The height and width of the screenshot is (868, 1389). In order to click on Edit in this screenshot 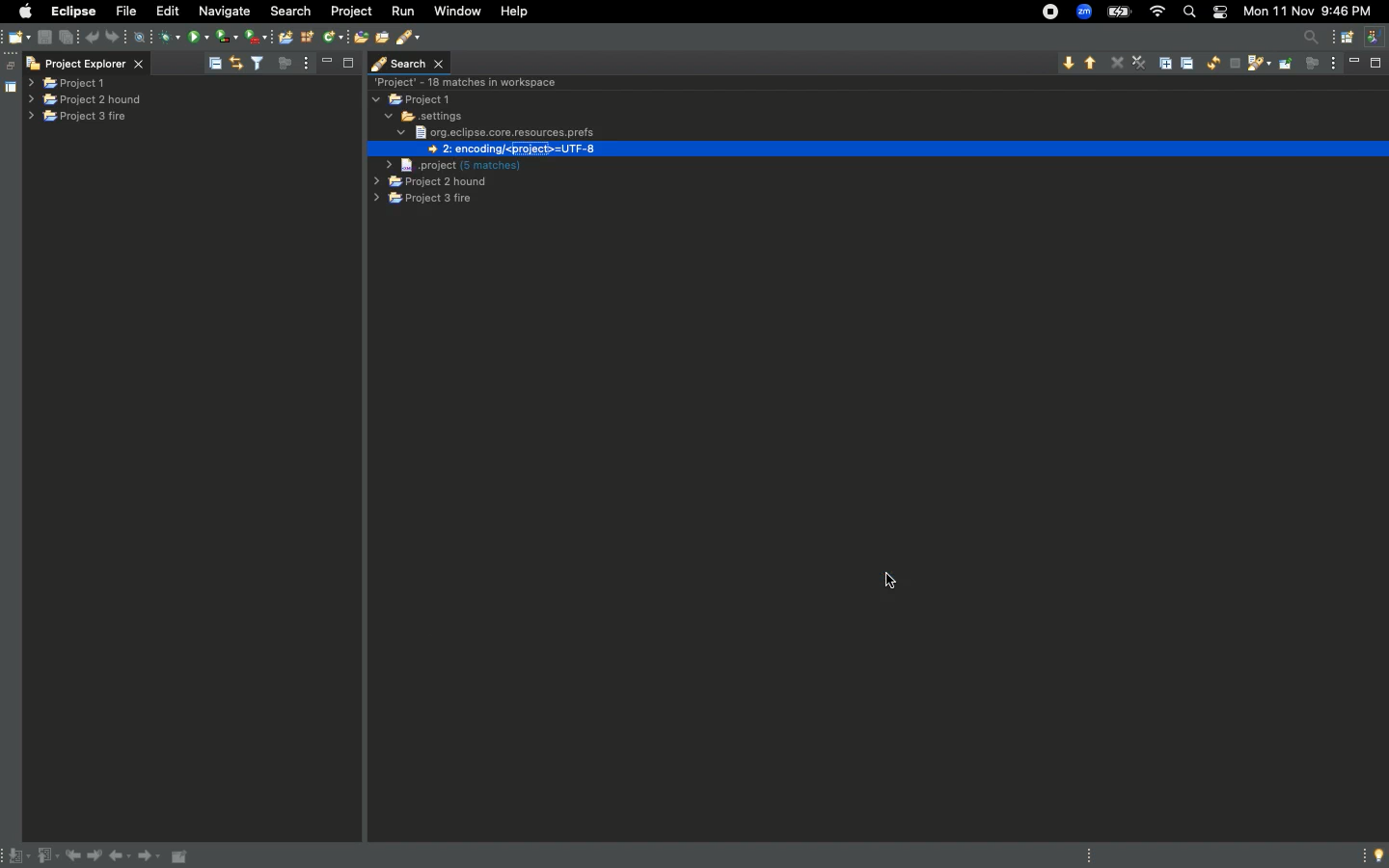, I will do `click(172, 14)`.